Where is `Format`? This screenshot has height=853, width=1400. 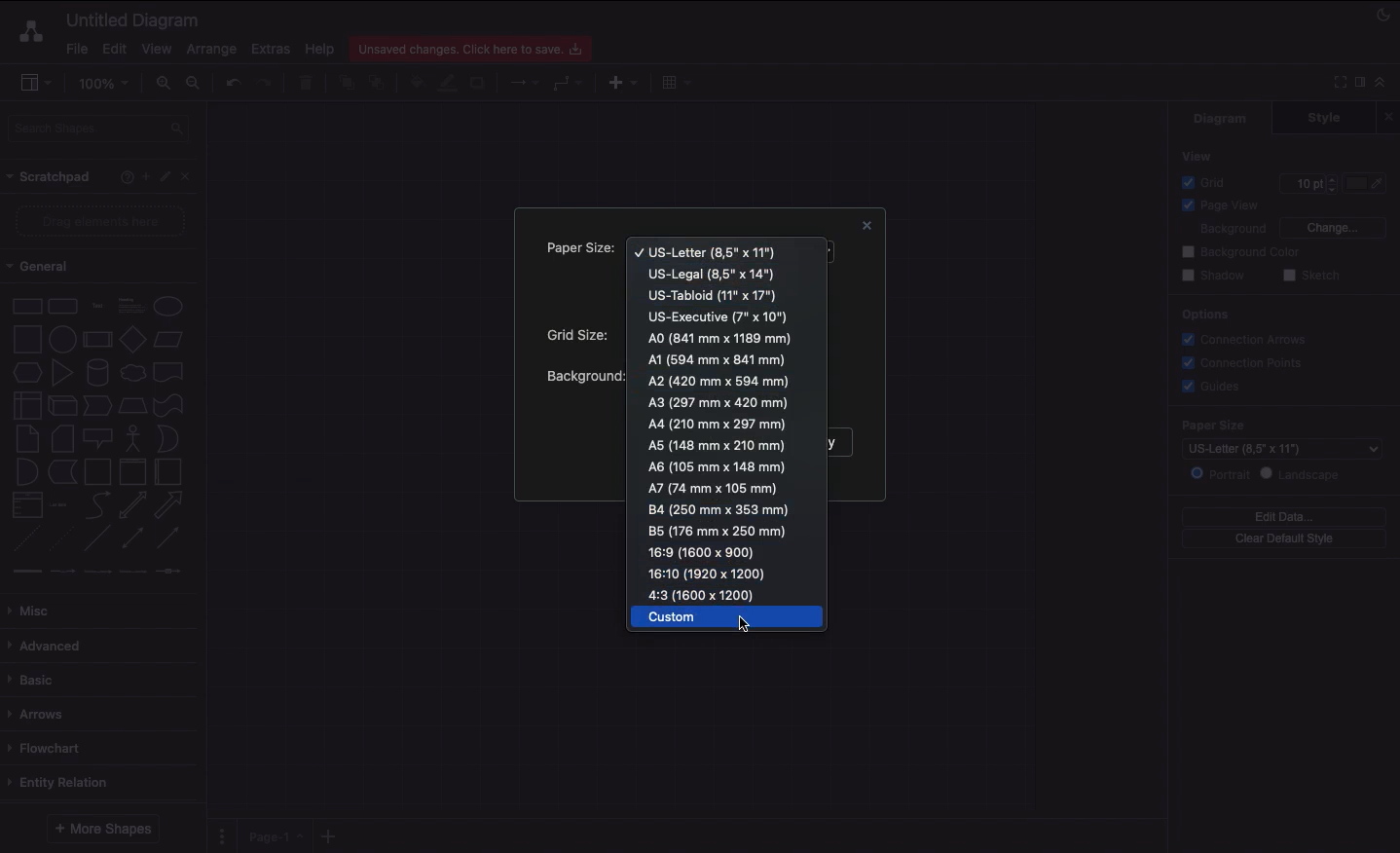
Format is located at coordinates (1361, 85).